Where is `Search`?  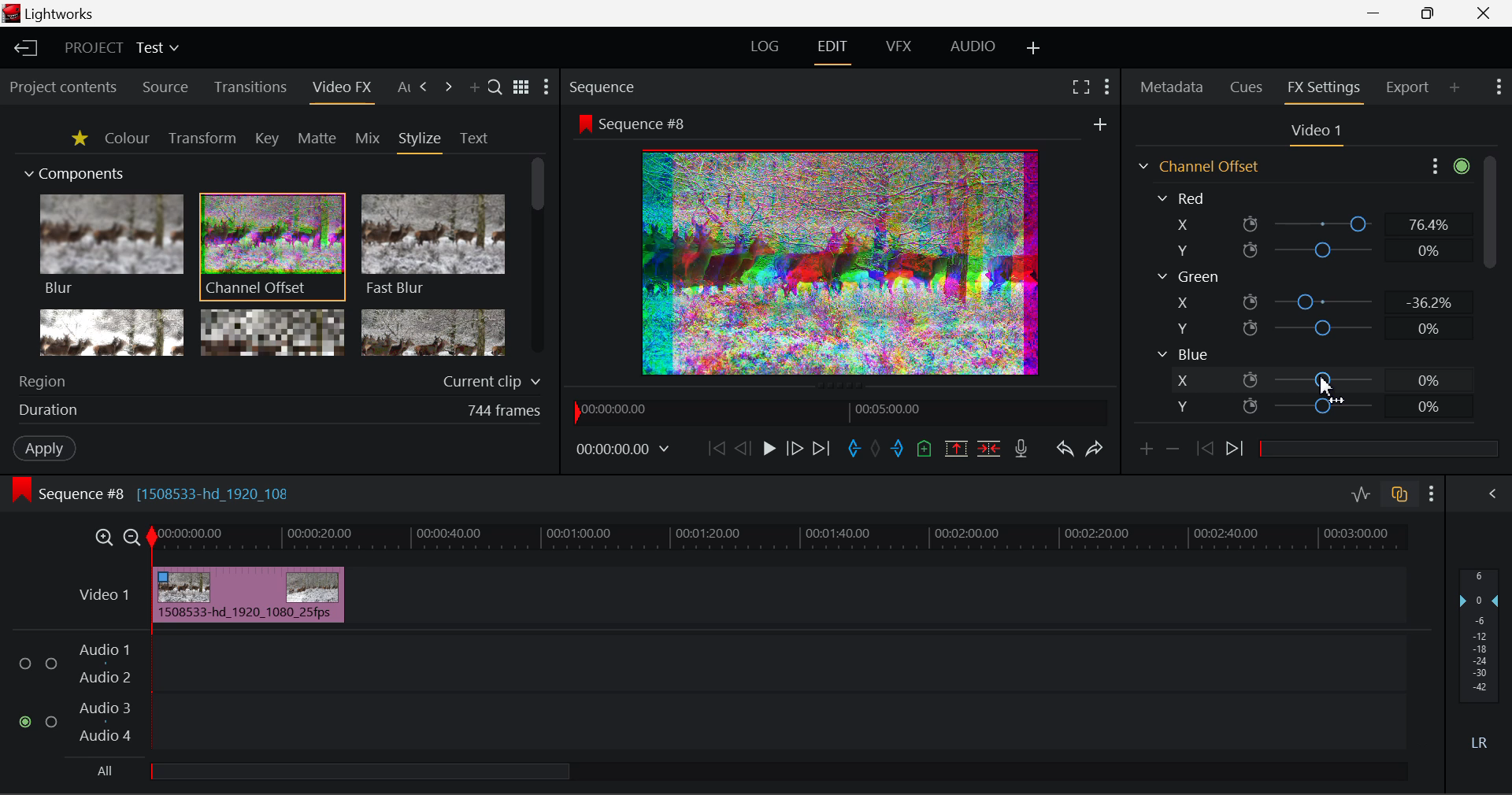
Search is located at coordinates (495, 87).